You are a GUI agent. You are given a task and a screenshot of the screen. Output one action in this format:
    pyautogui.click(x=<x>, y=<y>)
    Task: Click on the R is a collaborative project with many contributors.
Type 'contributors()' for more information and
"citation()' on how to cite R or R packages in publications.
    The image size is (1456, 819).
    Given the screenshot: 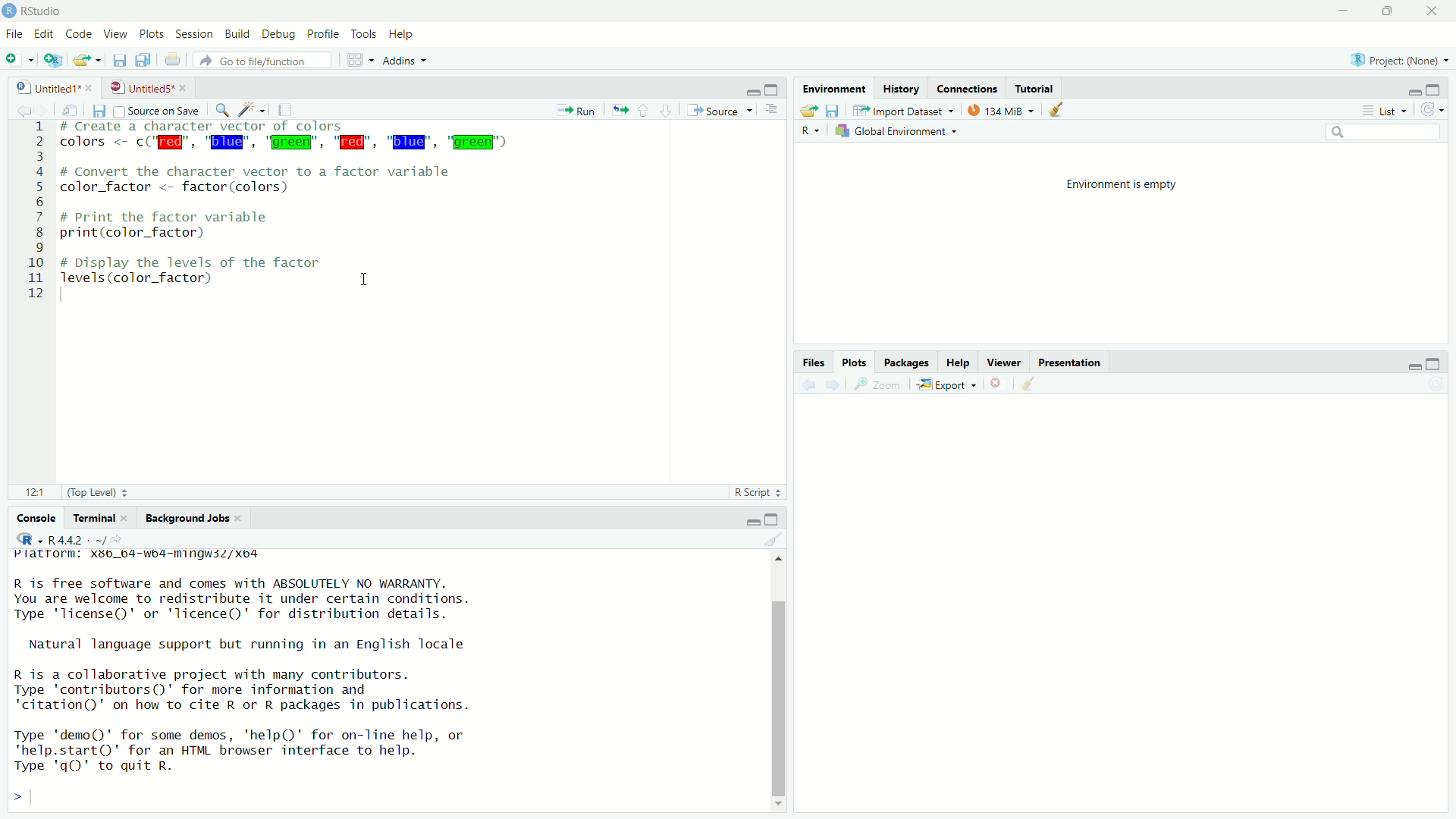 What is the action you would take?
    pyautogui.click(x=264, y=688)
    